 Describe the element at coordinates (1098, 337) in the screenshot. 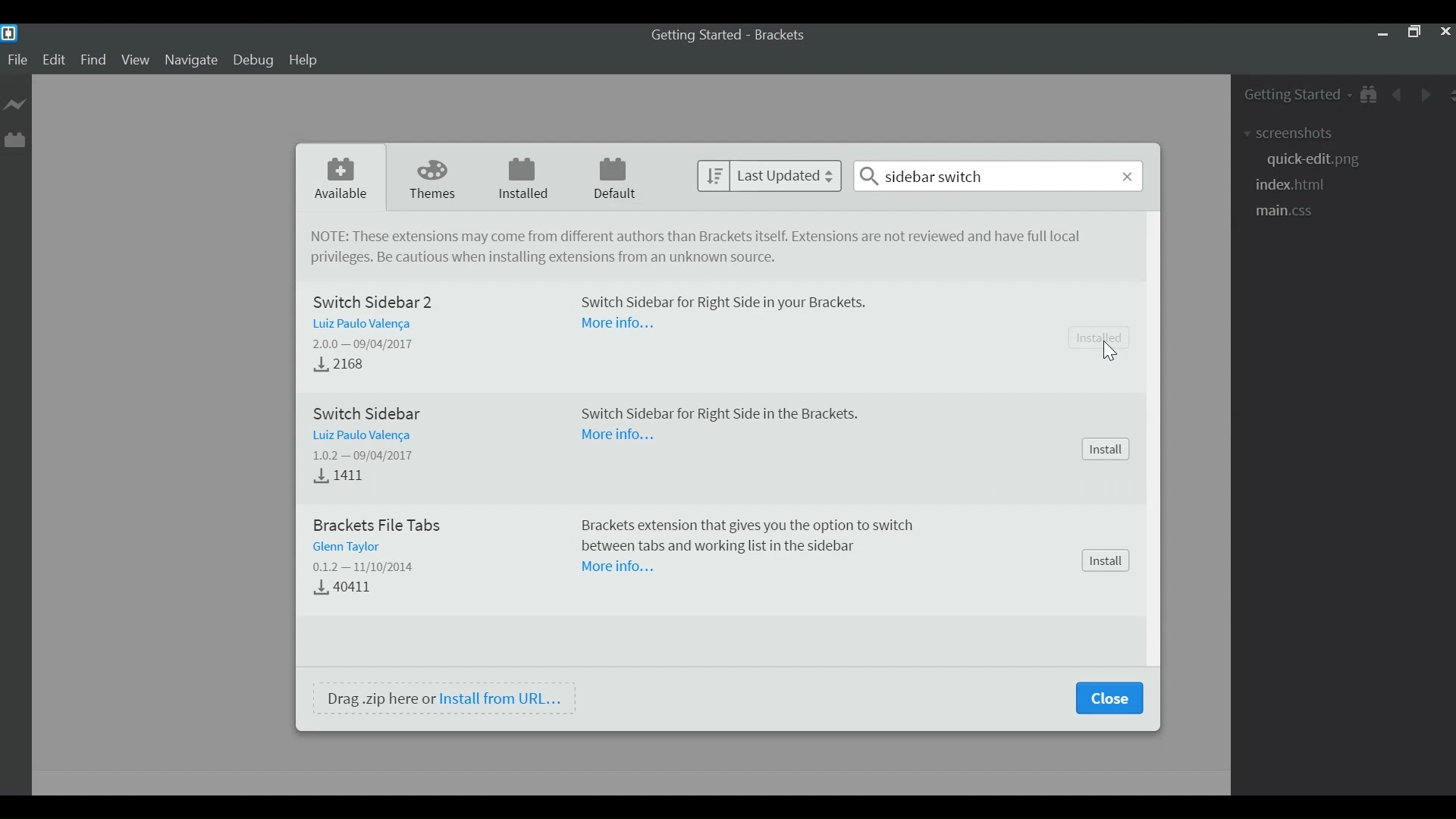

I see `Installed` at that location.